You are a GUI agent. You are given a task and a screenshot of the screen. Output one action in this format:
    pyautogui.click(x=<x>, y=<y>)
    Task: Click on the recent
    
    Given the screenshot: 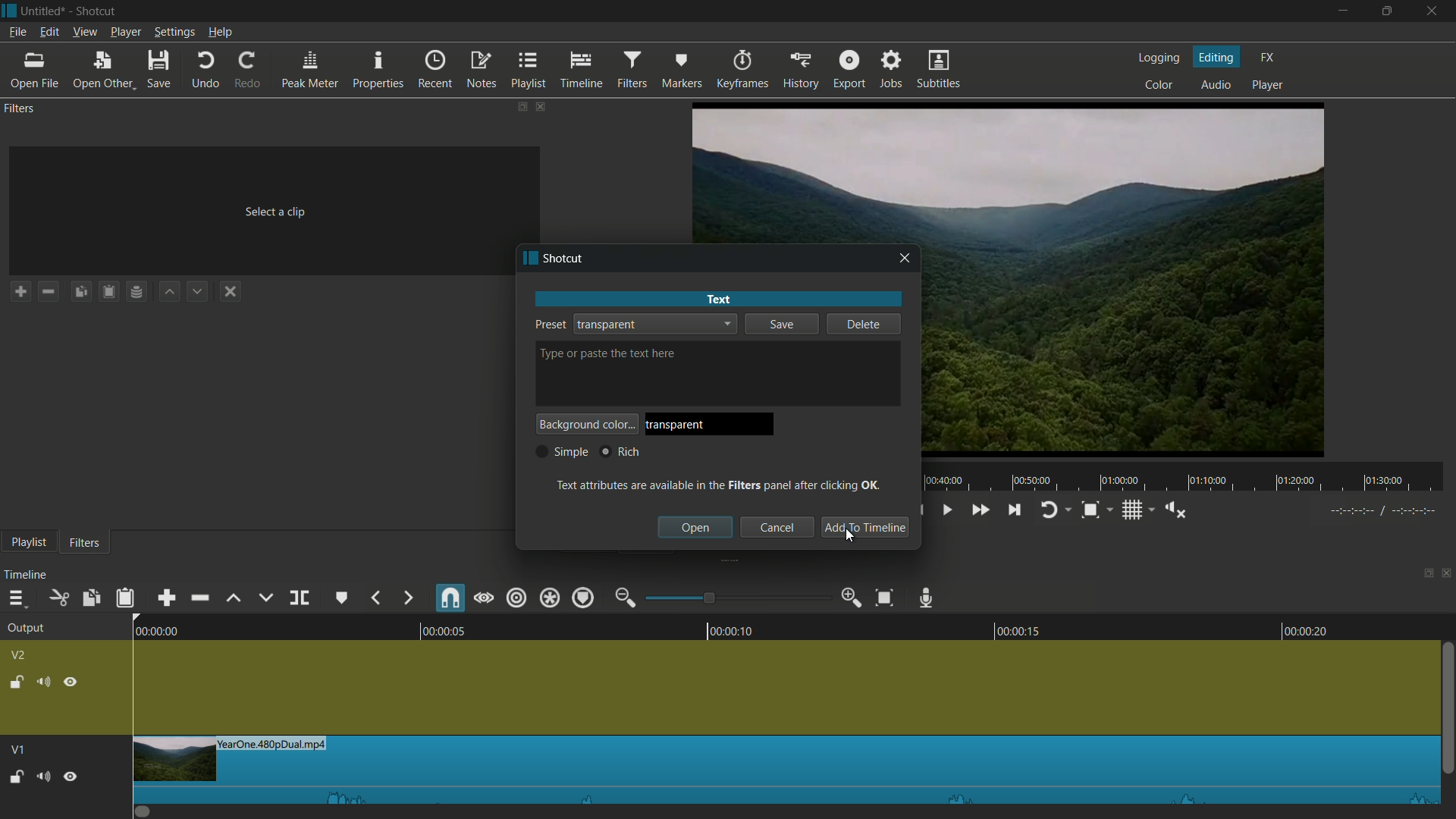 What is the action you would take?
    pyautogui.click(x=436, y=71)
    